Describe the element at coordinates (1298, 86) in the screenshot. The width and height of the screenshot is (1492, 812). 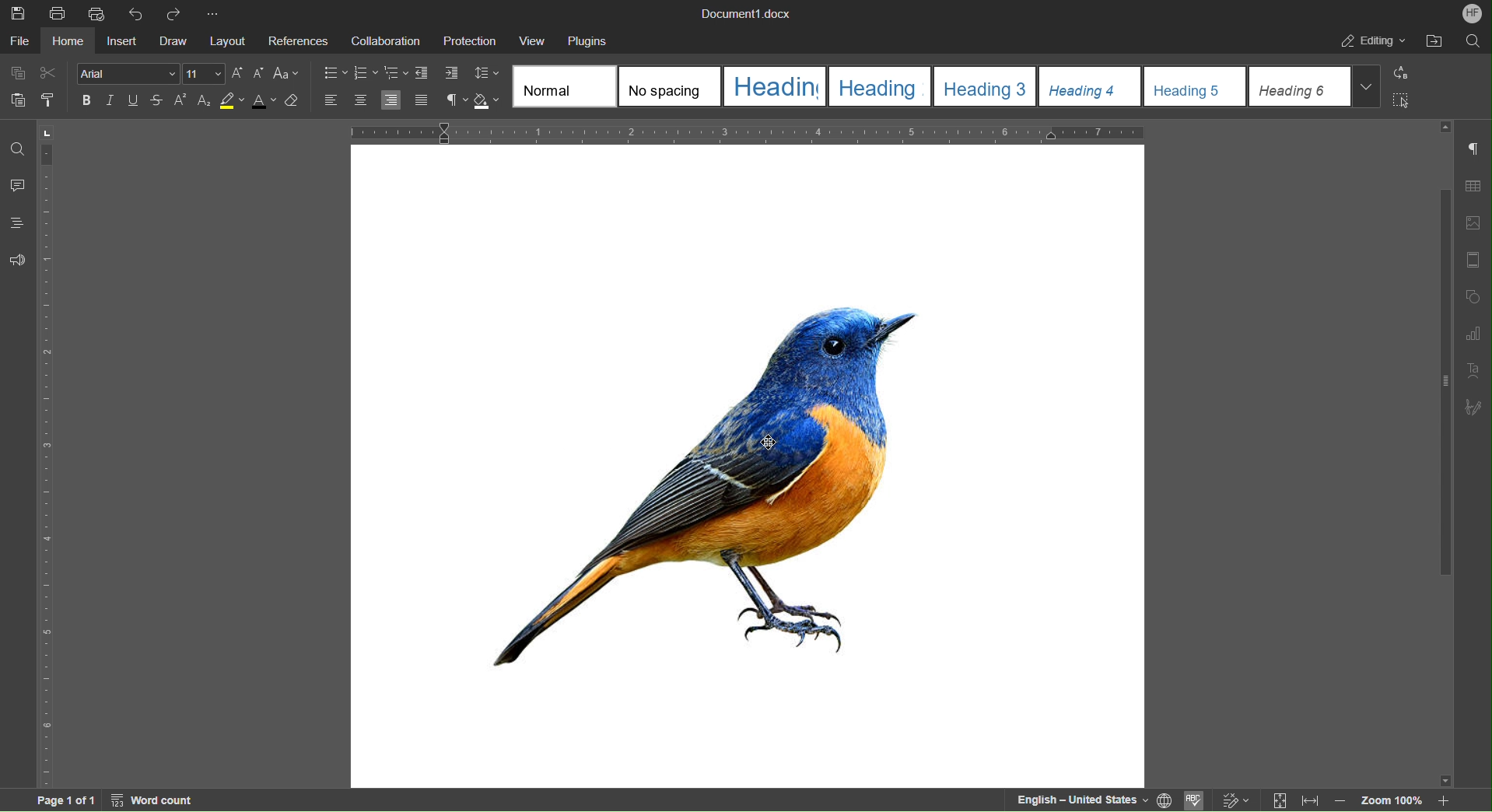
I see `Heading 6` at that location.